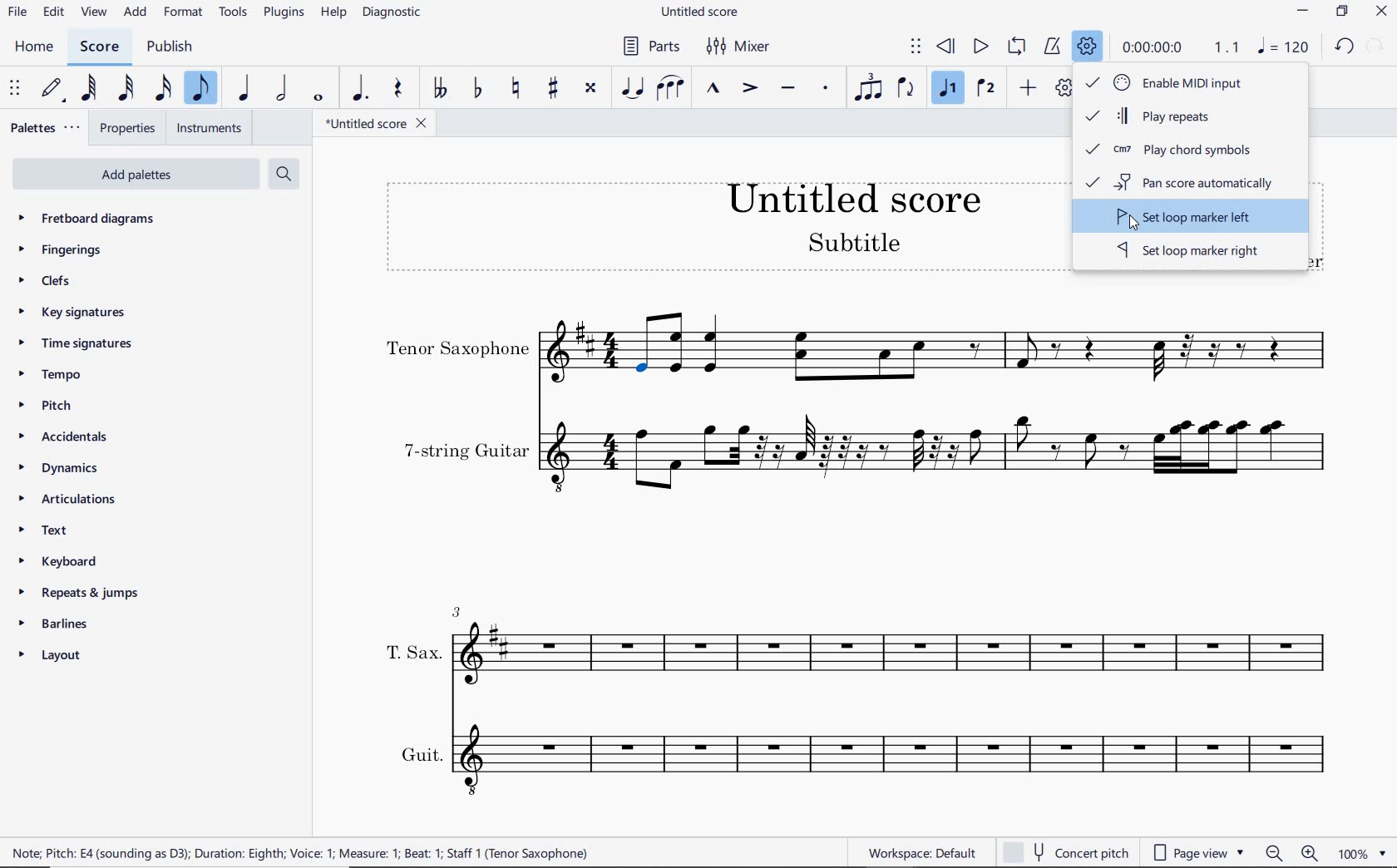 The width and height of the screenshot is (1397, 868). I want to click on REPEATS & JUMPS, so click(81, 595).